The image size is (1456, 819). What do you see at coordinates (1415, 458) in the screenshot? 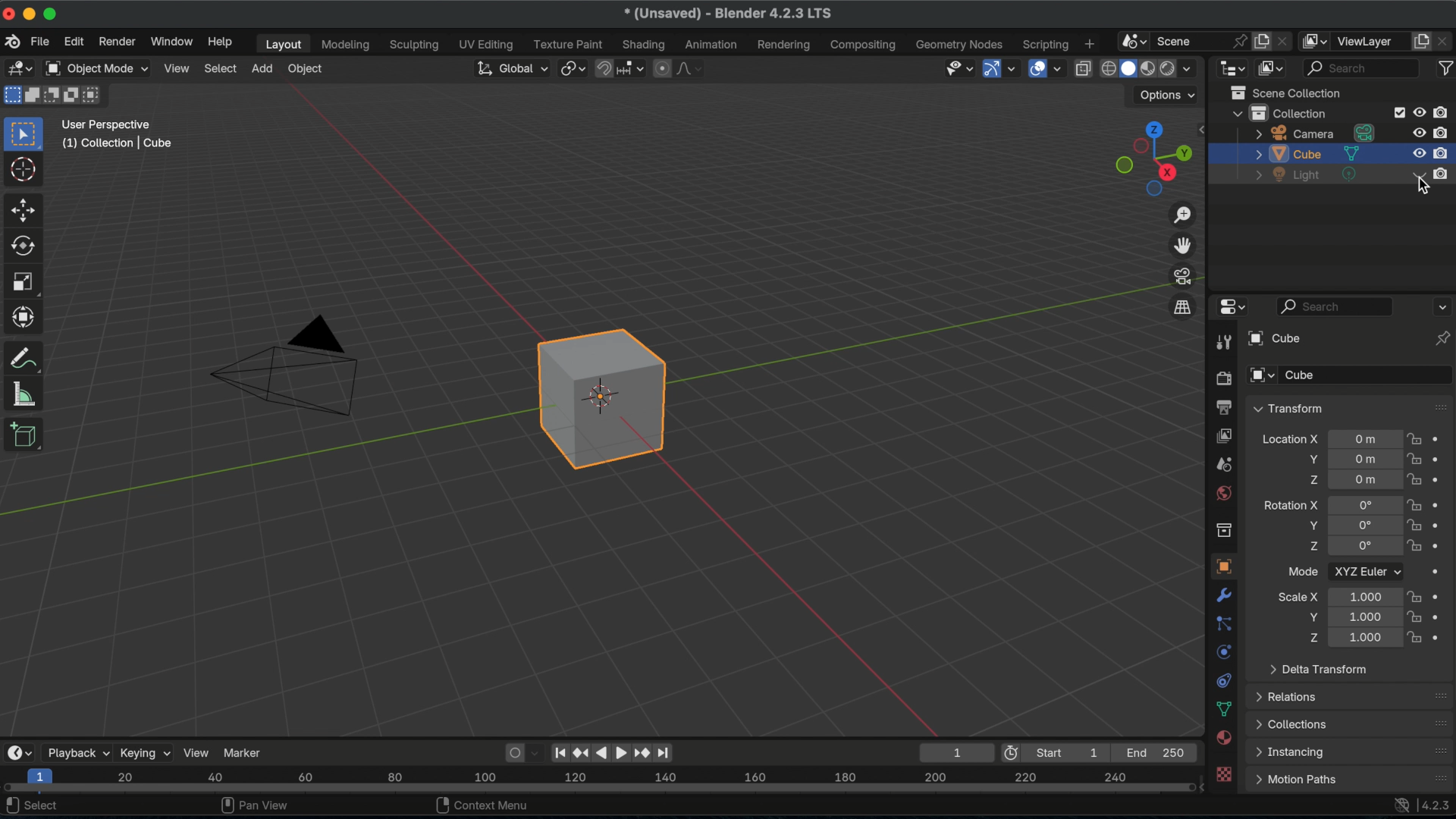
I see `lock location` at bounding box center [1415, 458].